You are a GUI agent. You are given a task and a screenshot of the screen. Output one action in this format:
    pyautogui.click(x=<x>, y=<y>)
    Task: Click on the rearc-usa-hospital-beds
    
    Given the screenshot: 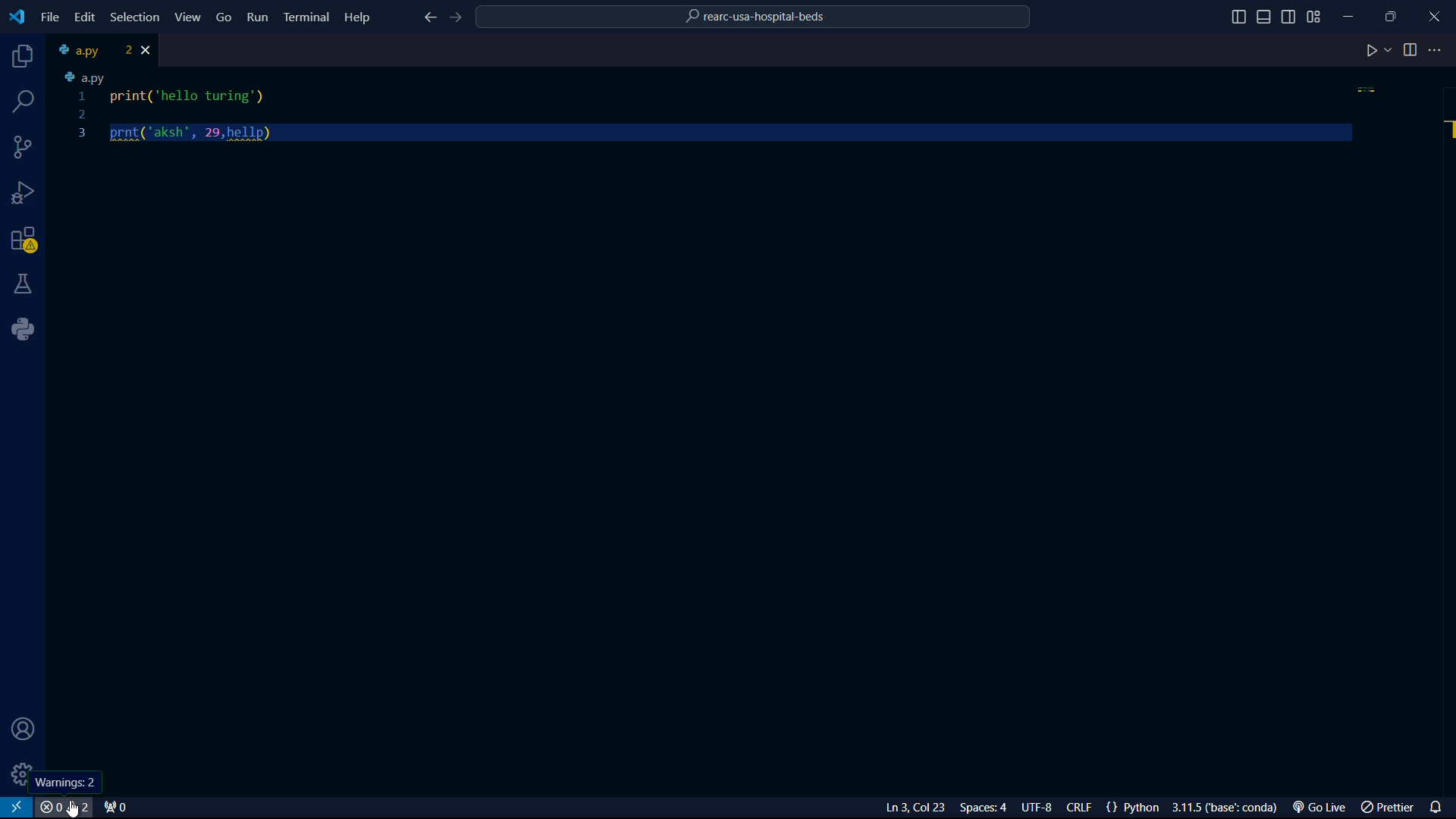 What is the action you would take?
    pyautogui.click(x=755, y=19)
    